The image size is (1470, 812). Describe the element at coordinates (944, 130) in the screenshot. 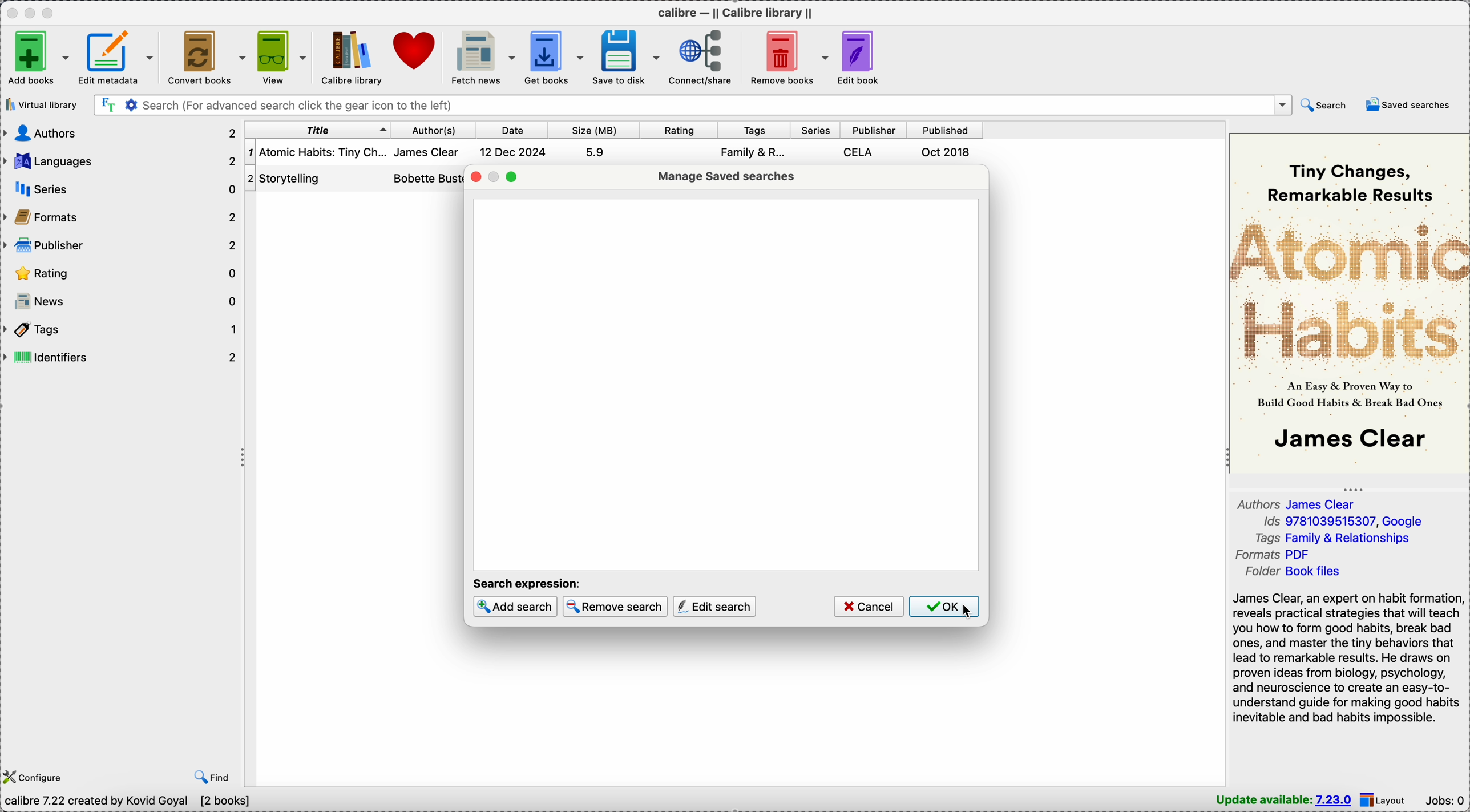

I see `published` at that location.